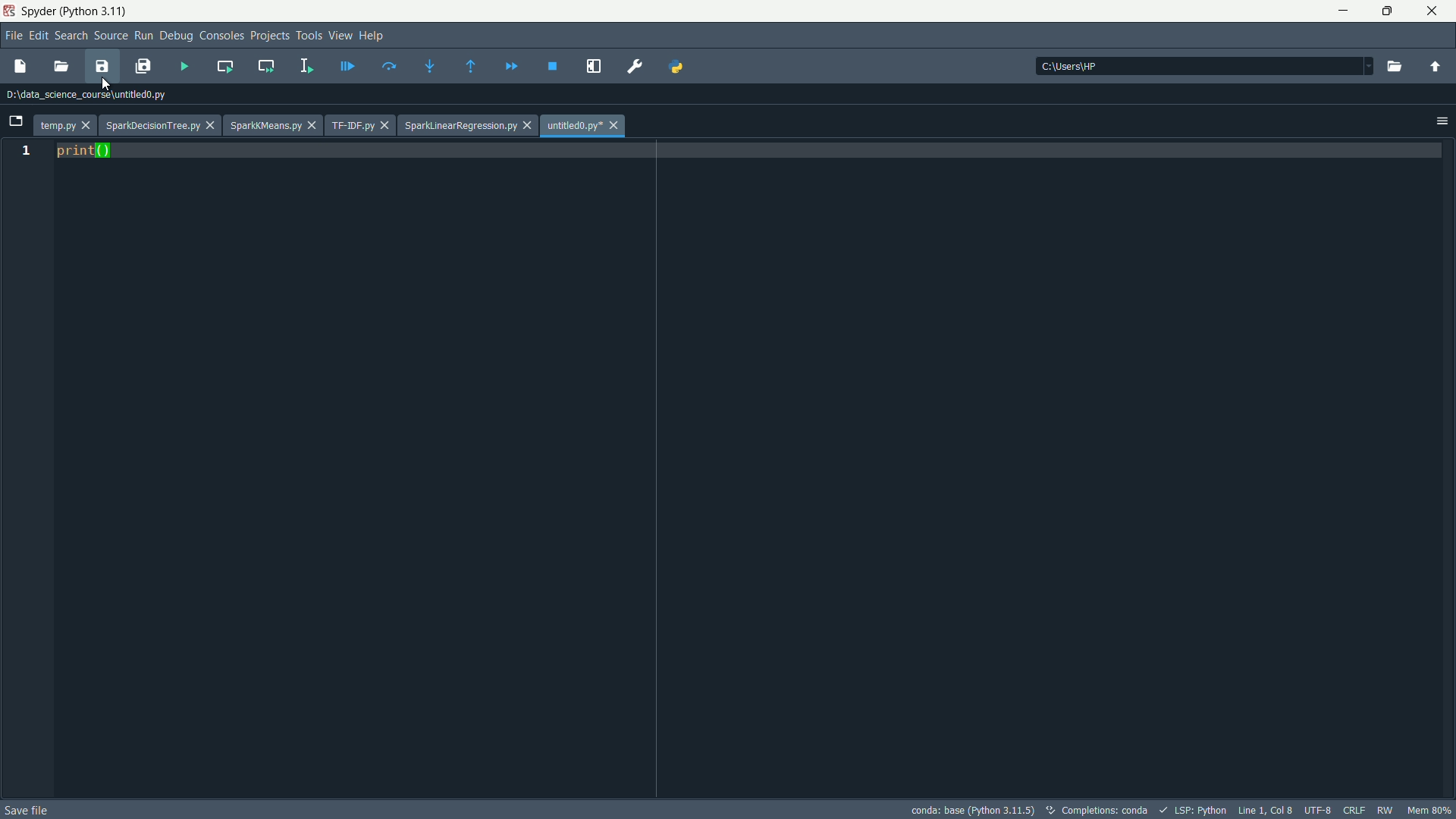 The height and width of the screenshot is (819, 1456). What do you see at coordinates (1194, 810) in the screenshot?
I see `linting, completion status` at bounding box center [1194, 810].